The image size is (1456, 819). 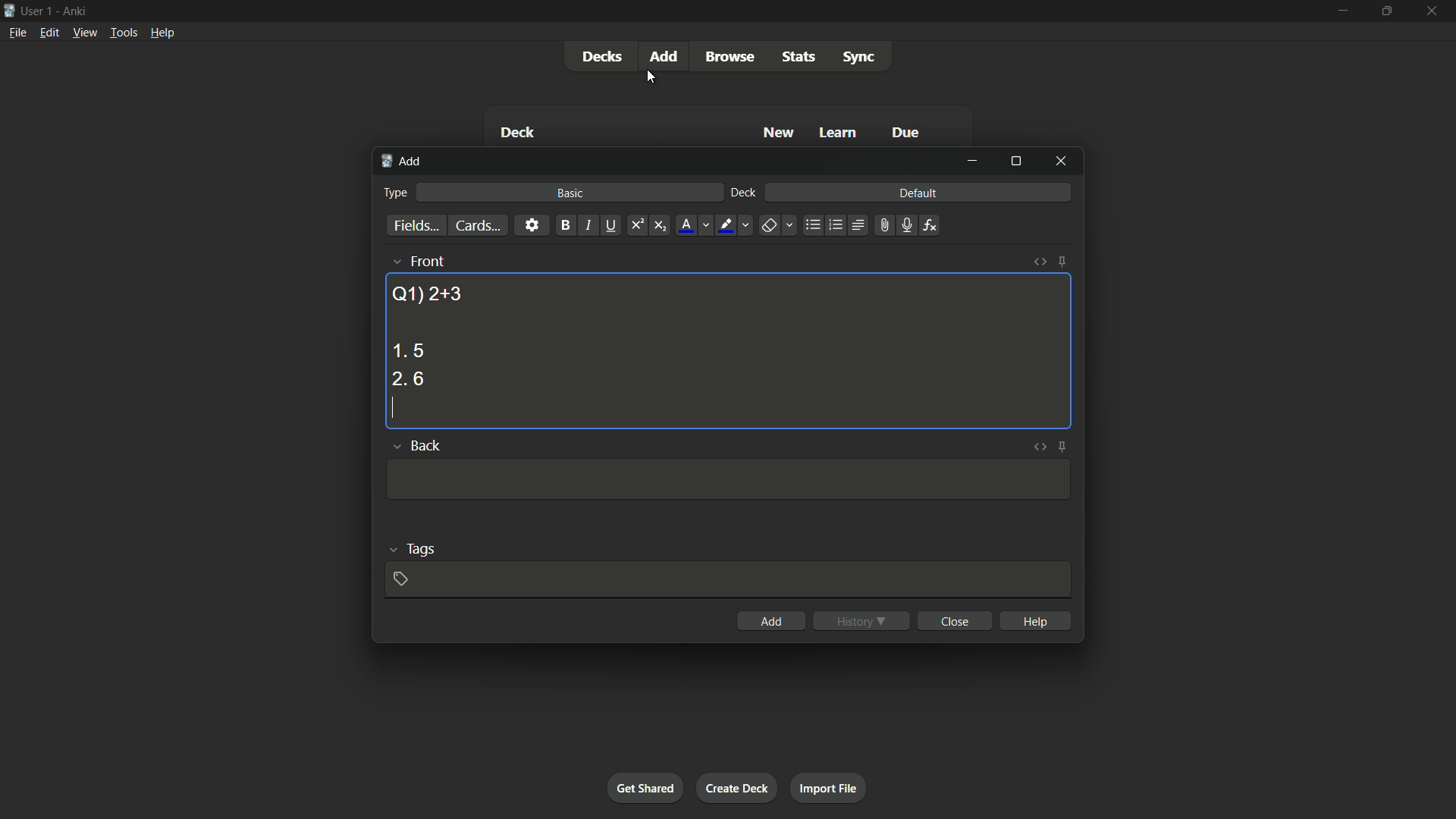 I want to click on maximize, so click(x=1015, y=161).